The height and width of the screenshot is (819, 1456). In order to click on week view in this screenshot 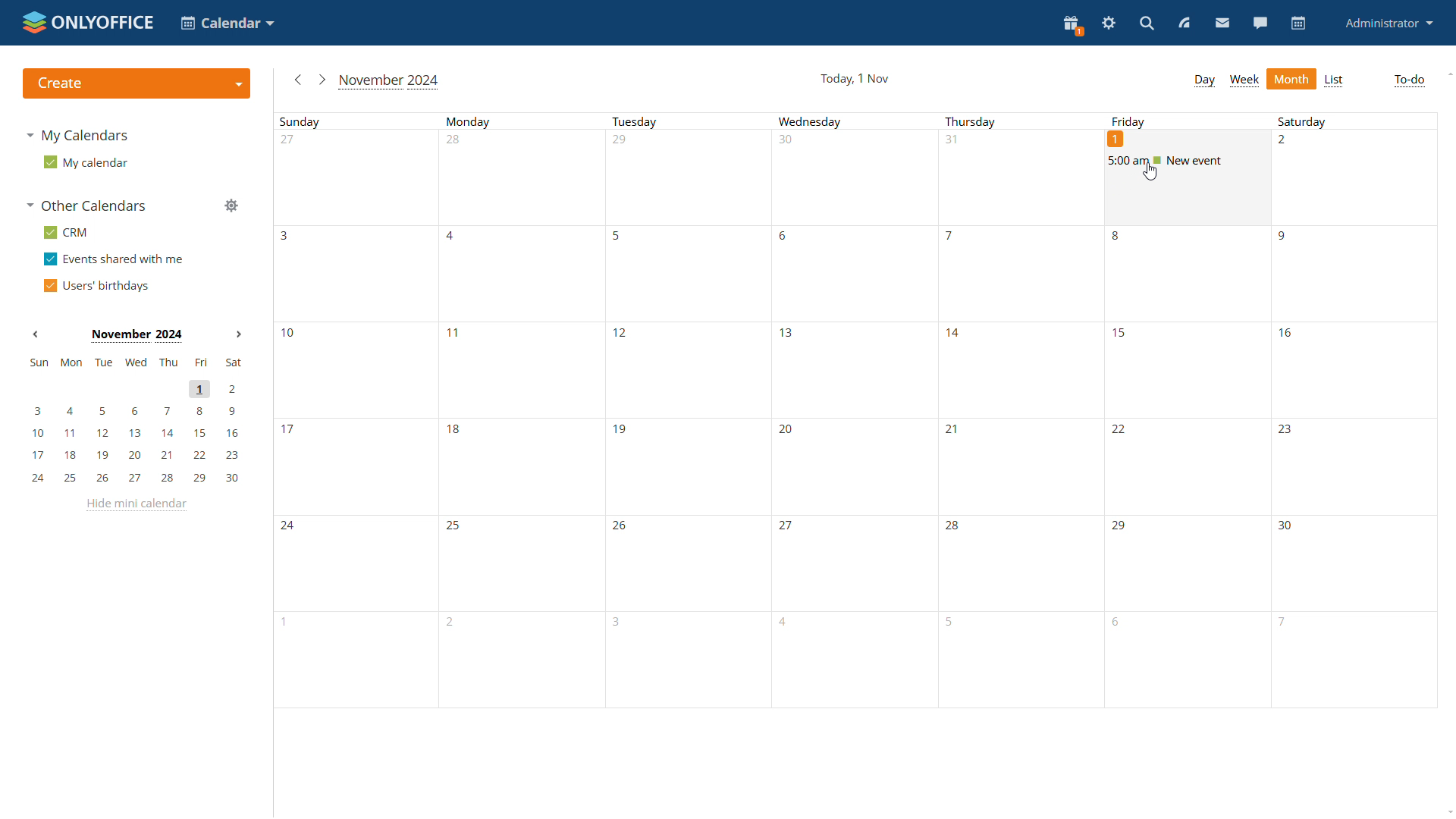, I will do `click(1244, 80)`.